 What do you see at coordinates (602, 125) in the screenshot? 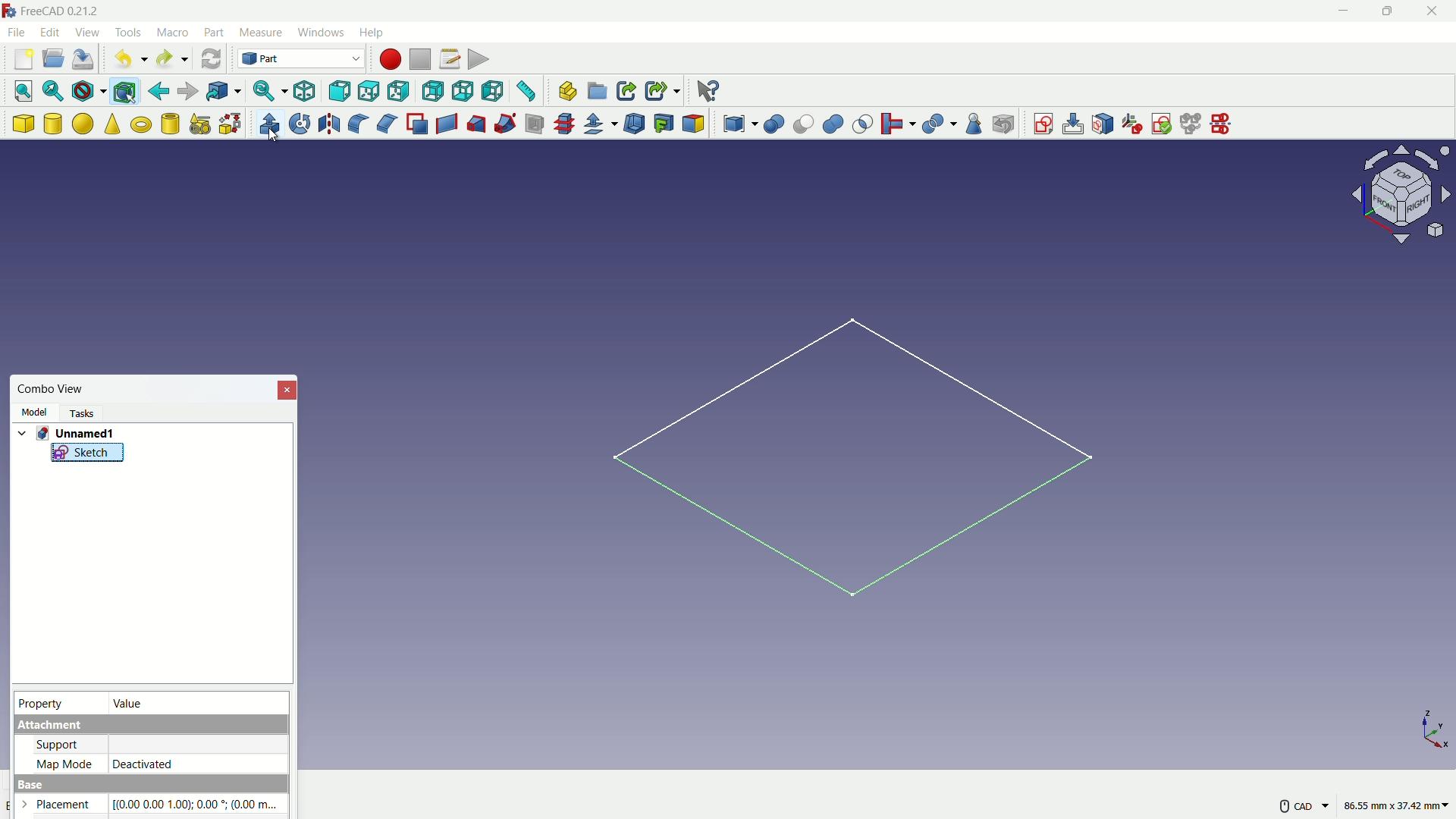
I see `offset` at bounding box center [602, 125].